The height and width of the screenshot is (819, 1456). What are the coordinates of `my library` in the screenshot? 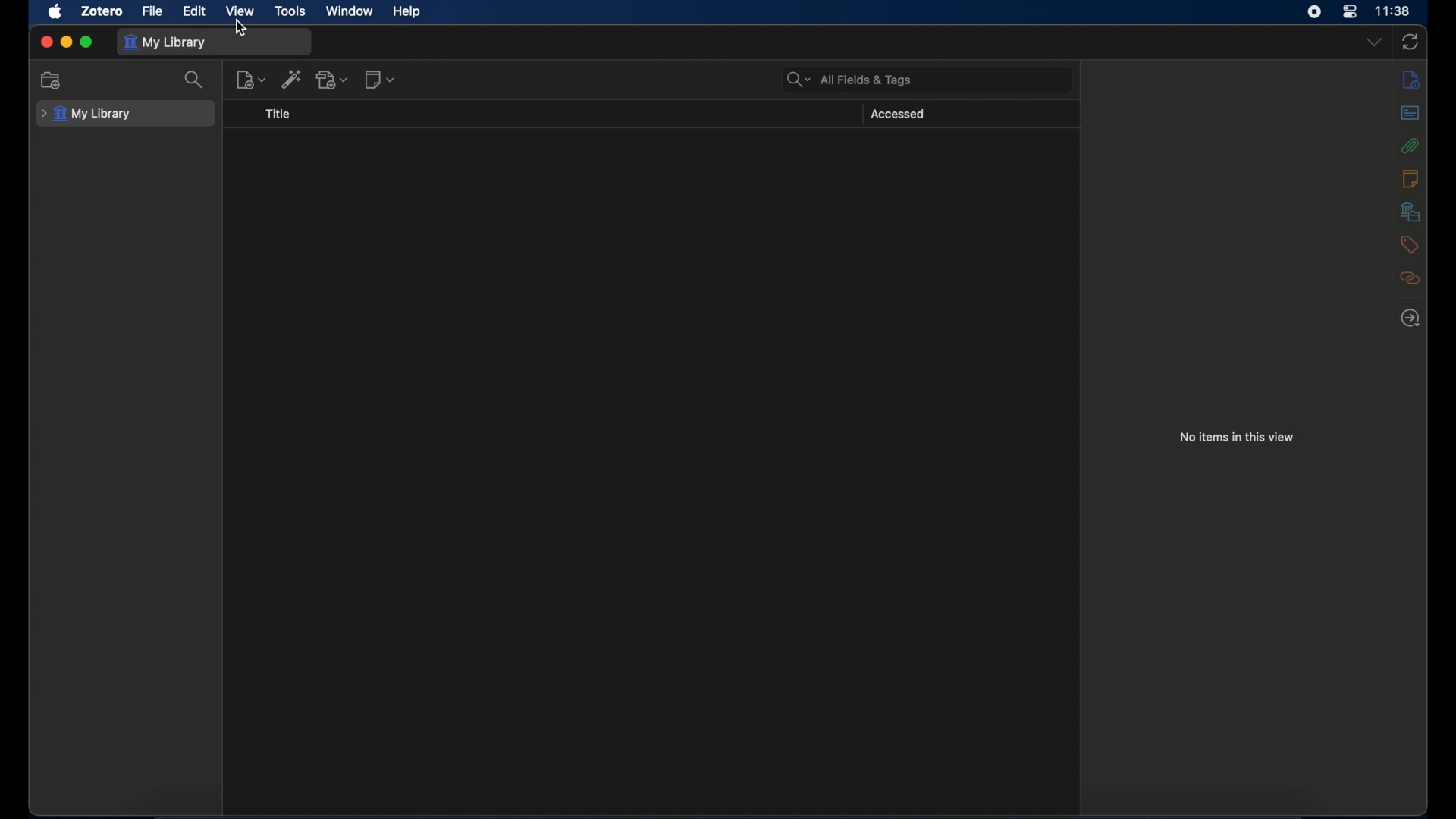 It's located at (86, 114).